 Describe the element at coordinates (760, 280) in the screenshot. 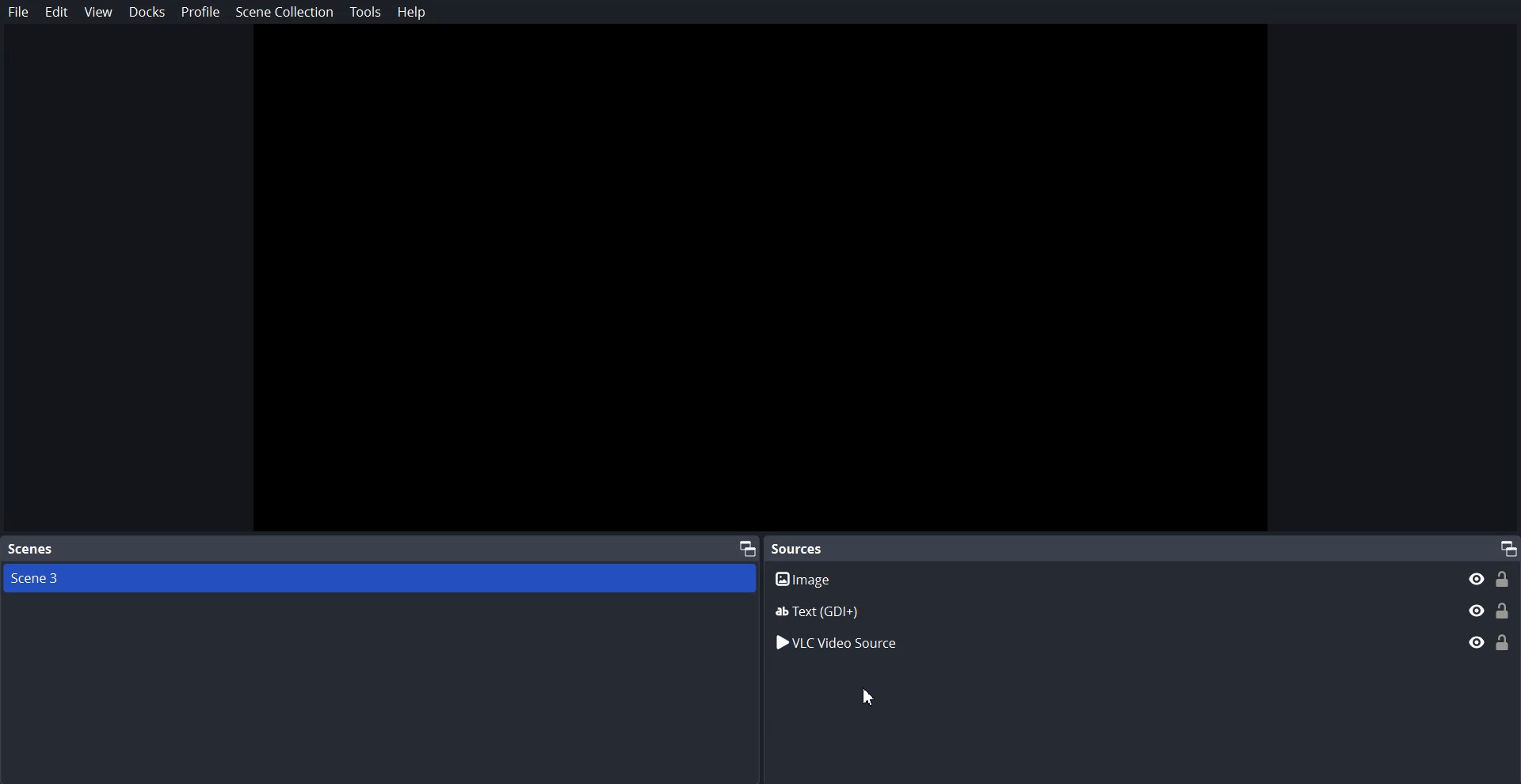

I see `Preview Window` at that location.